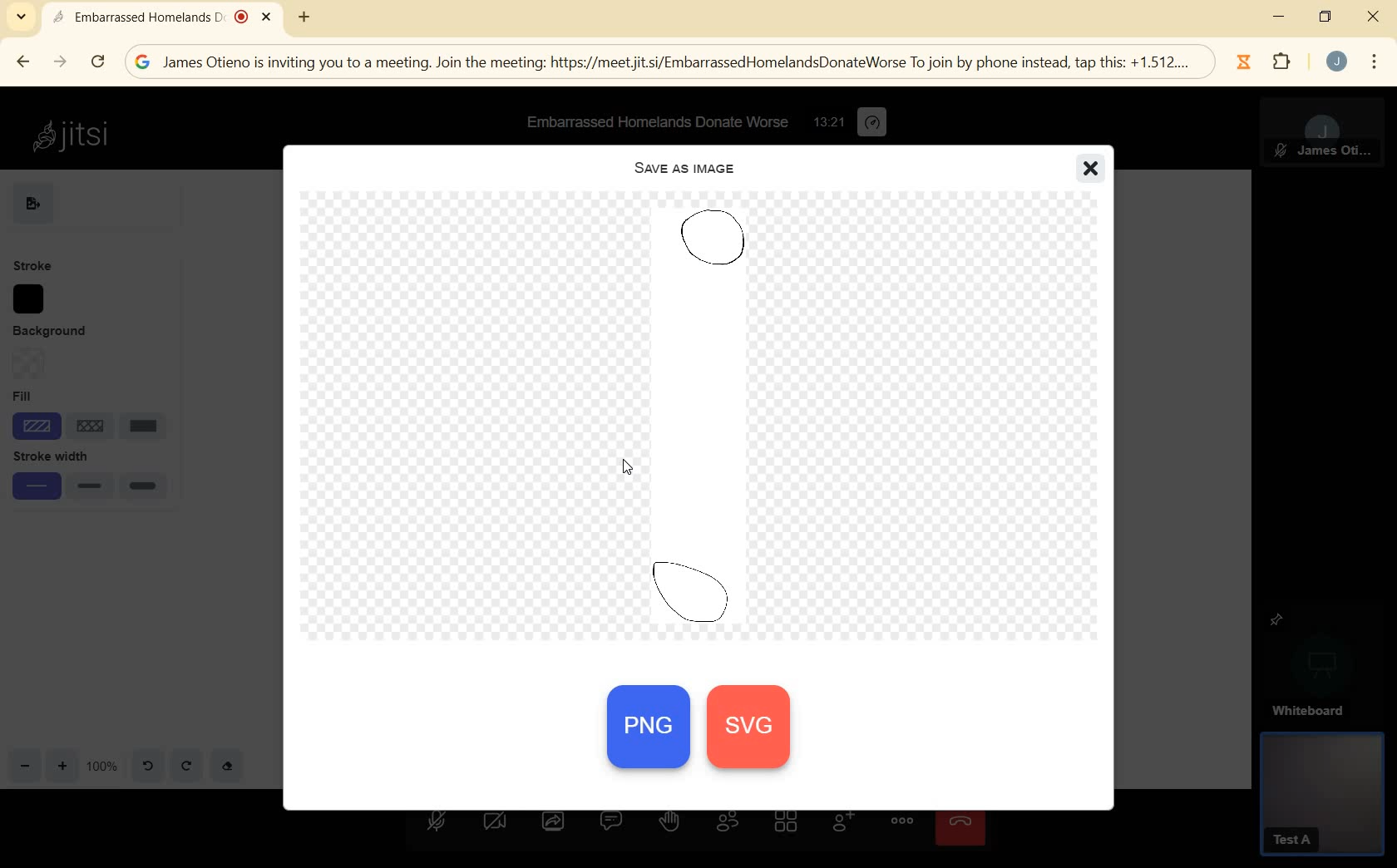 Image resolution: width=1397 pixels, height=868 pixels. What do you see at coordinates (684, 167) in the screenshot?
I see `SAVE AS IMAGE` at bounding box center [684, 167].